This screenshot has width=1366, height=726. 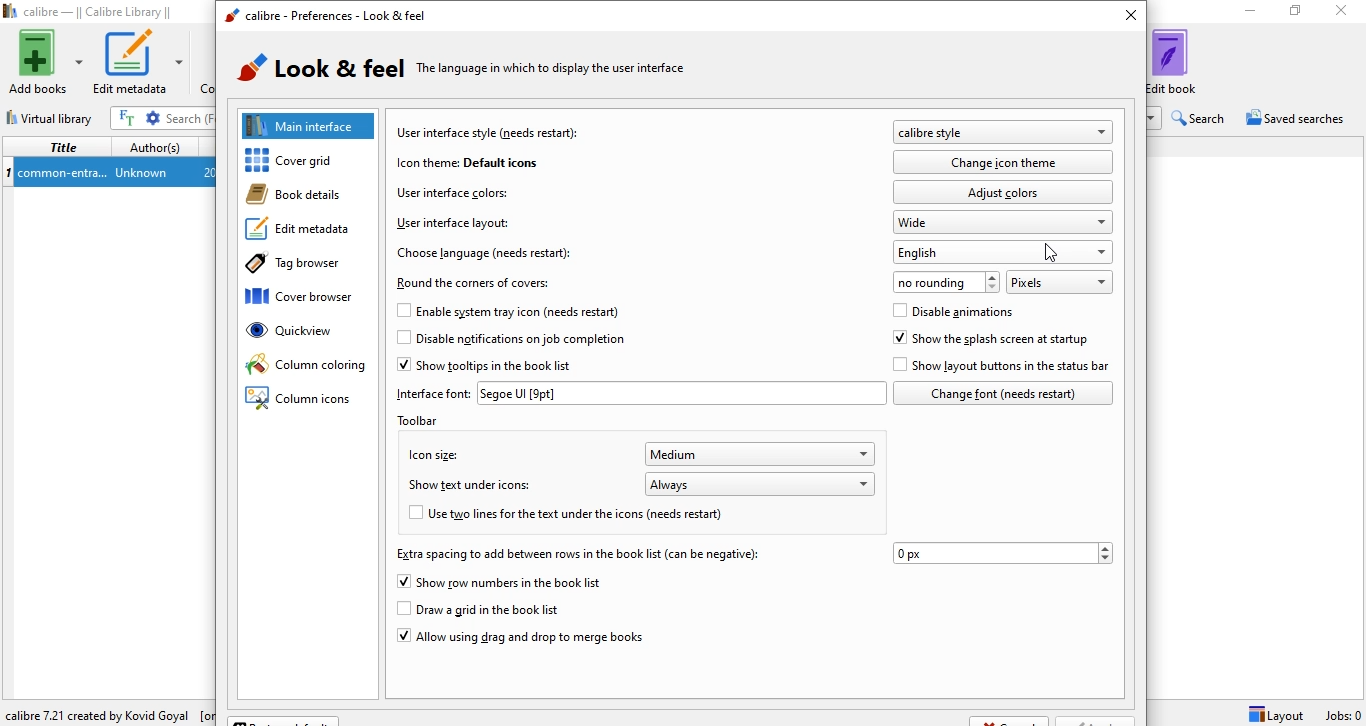 What do you see at coordinates (60, 147) in the screenshot?
I see `Title` at bounding box center [60, 147].